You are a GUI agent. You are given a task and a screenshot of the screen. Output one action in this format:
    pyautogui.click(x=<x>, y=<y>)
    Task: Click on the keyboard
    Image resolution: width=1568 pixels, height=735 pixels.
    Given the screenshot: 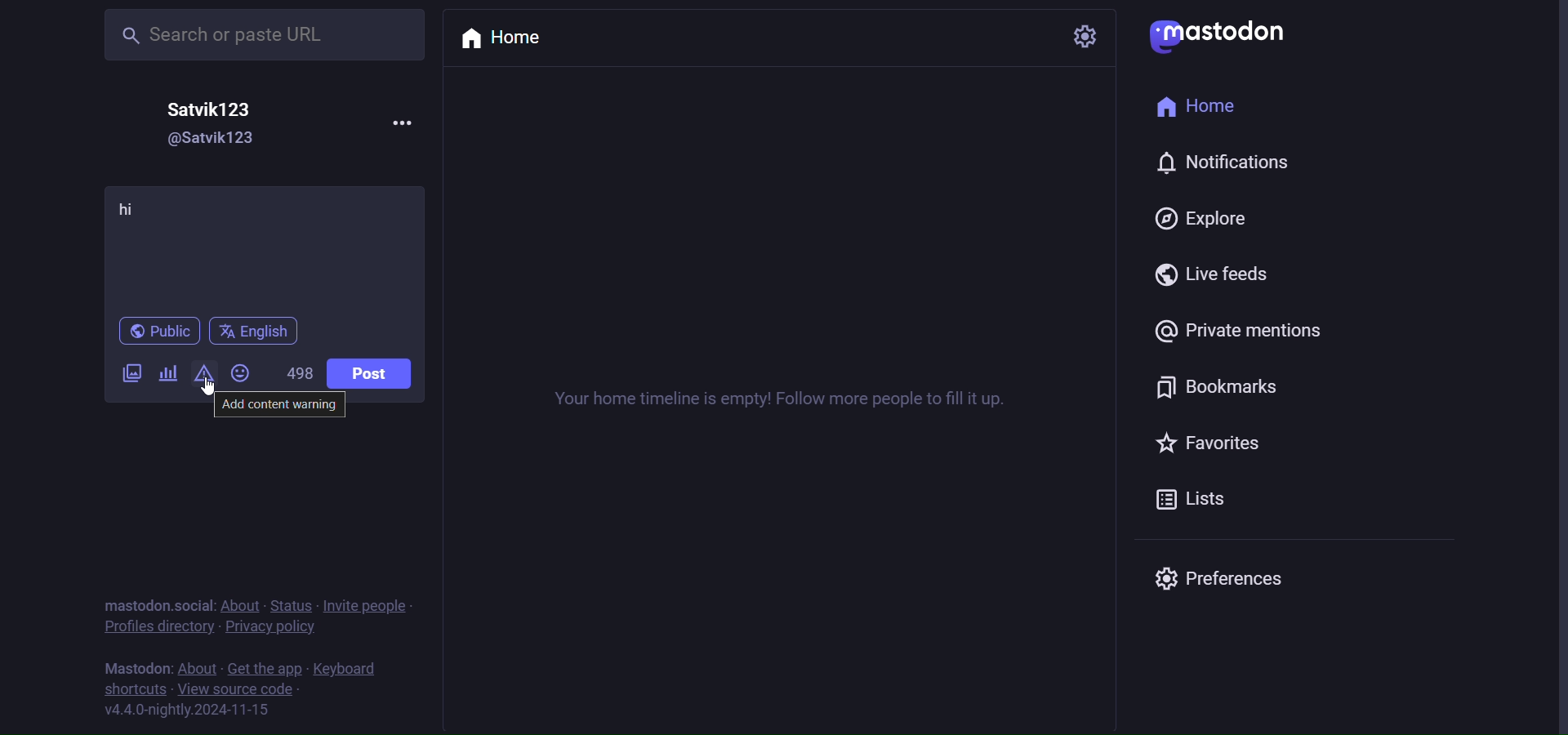 What is the action you would take?
    pyautogui.click(x=347, y=670)
    